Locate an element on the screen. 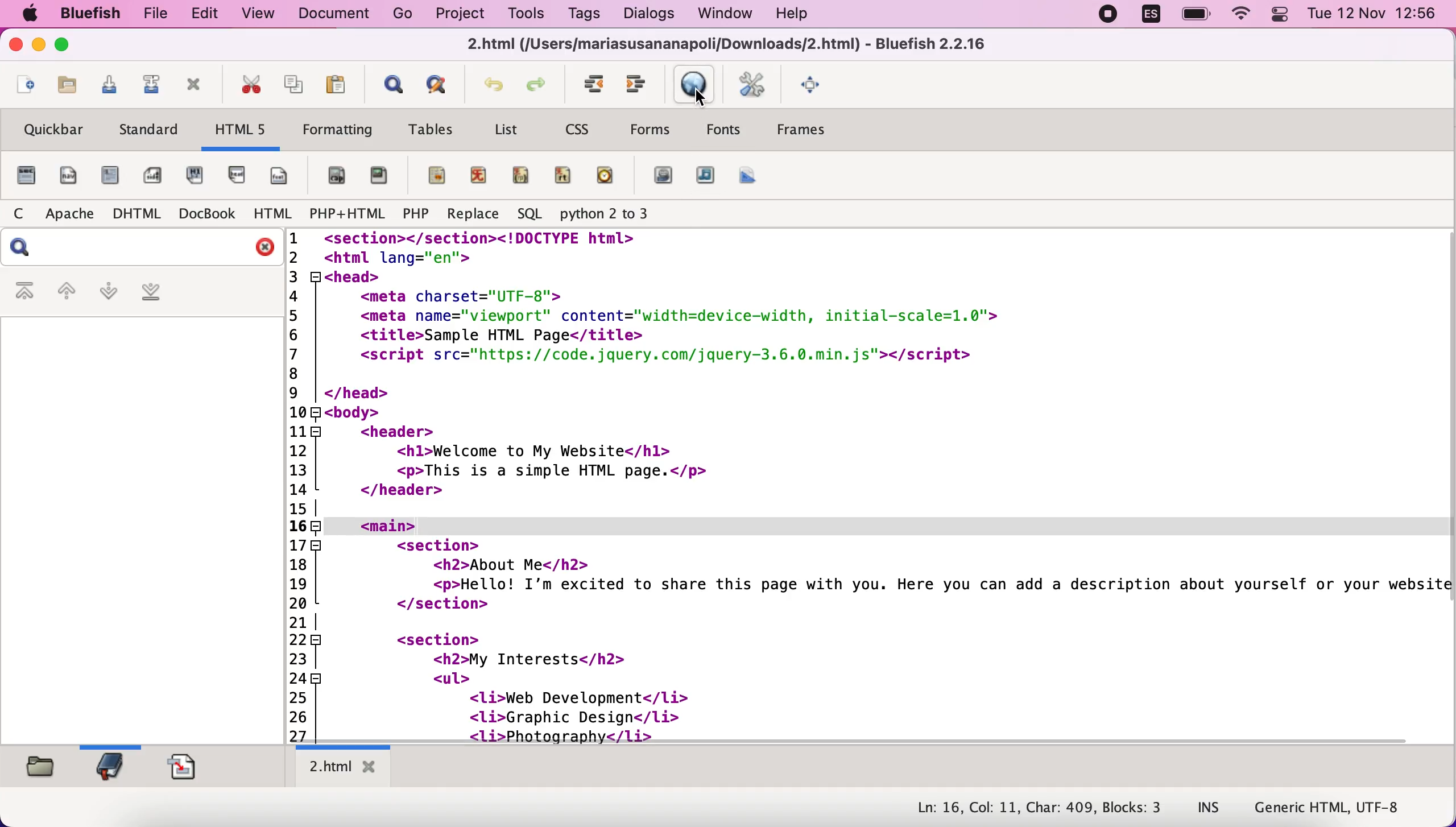 Image resolution: width=1456 pixels, height=827 pixels. file is located at coordinates (155, 15).